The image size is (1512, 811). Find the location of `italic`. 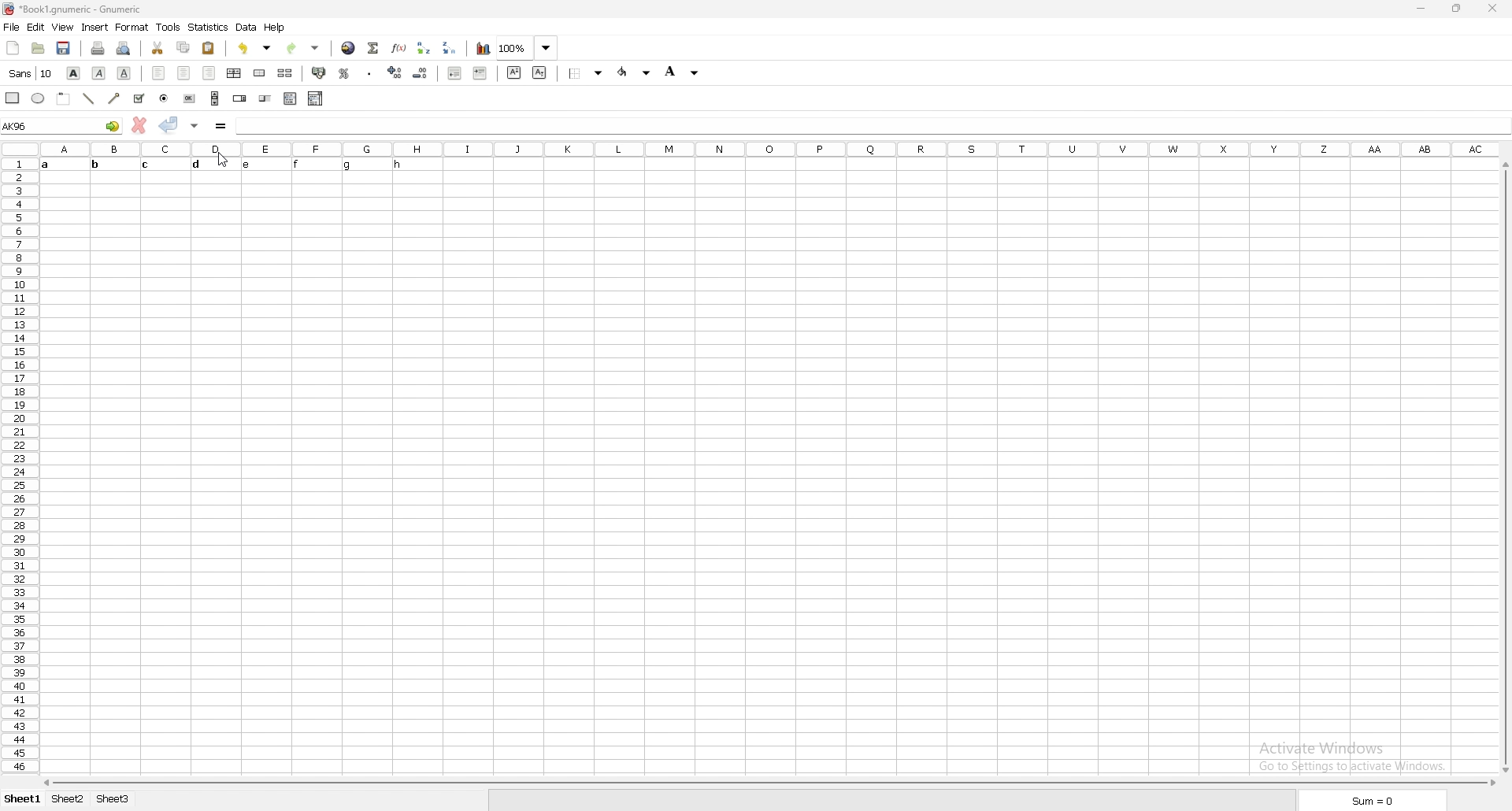

italic is located at coordinates (98, 72).